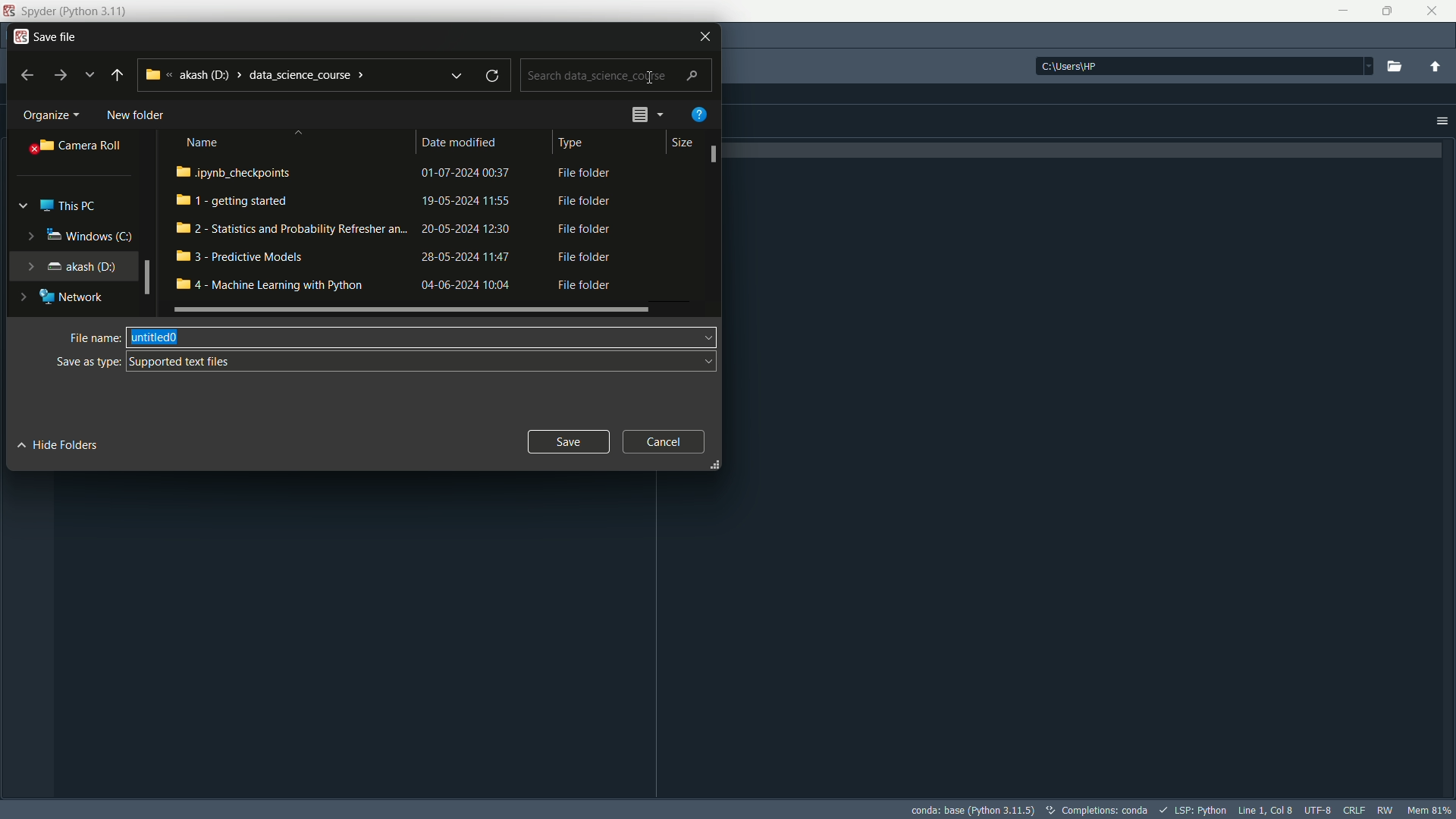  I want to click on file name, so click(96, 338).